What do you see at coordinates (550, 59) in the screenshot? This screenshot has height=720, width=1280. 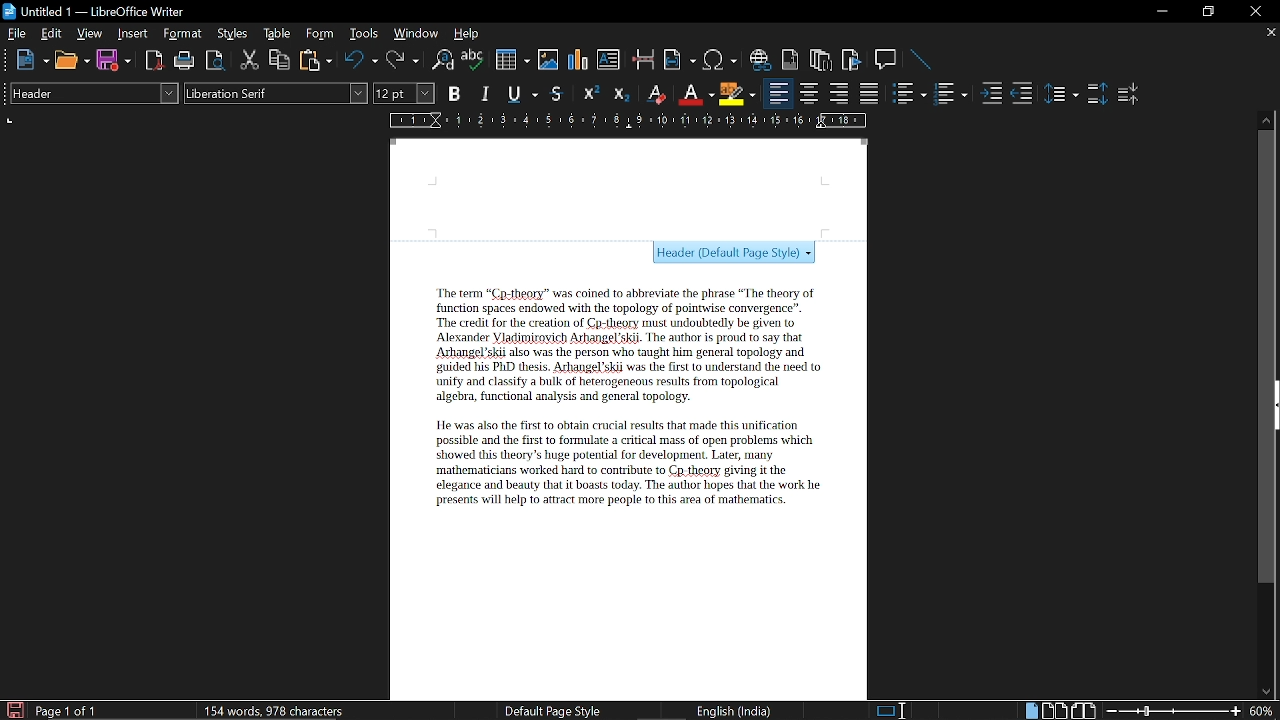 I see `Insert image` at bounding box center [550, 59].